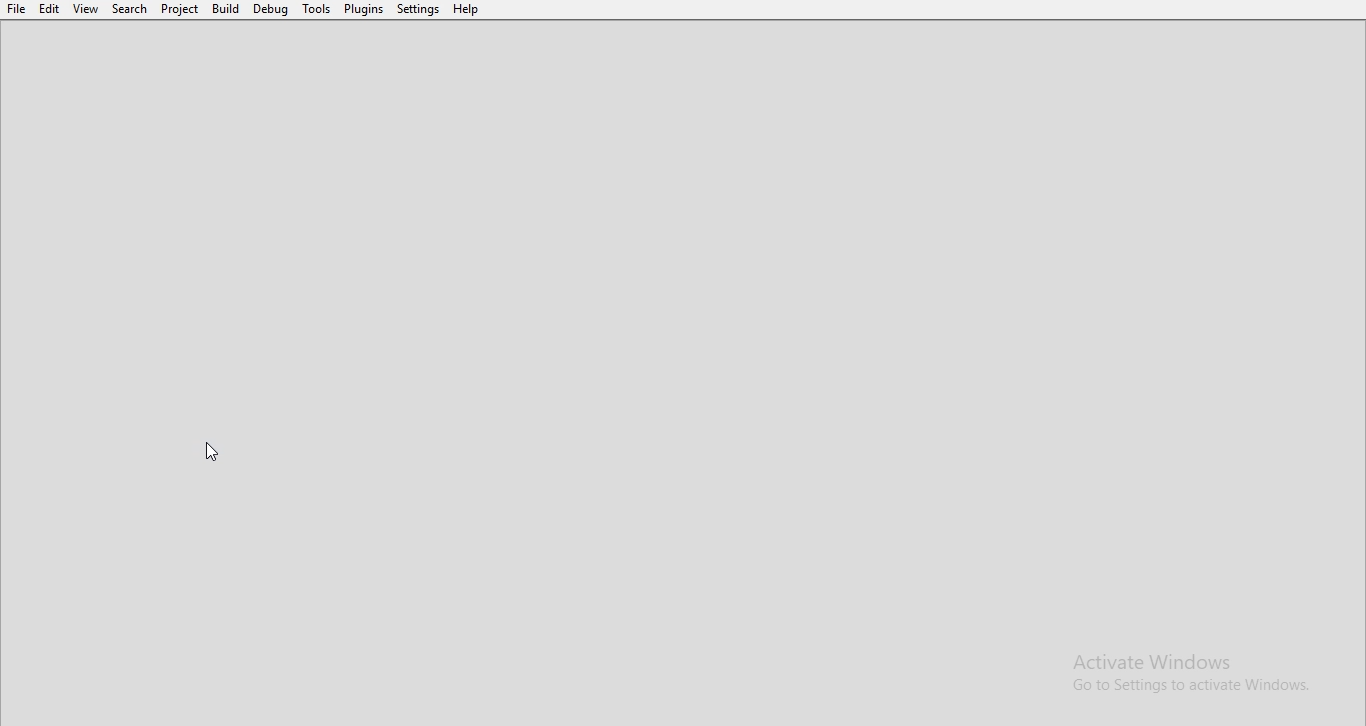 This screenshot has height=726, width=1366. I want to click on Tools , so click(318, 9).